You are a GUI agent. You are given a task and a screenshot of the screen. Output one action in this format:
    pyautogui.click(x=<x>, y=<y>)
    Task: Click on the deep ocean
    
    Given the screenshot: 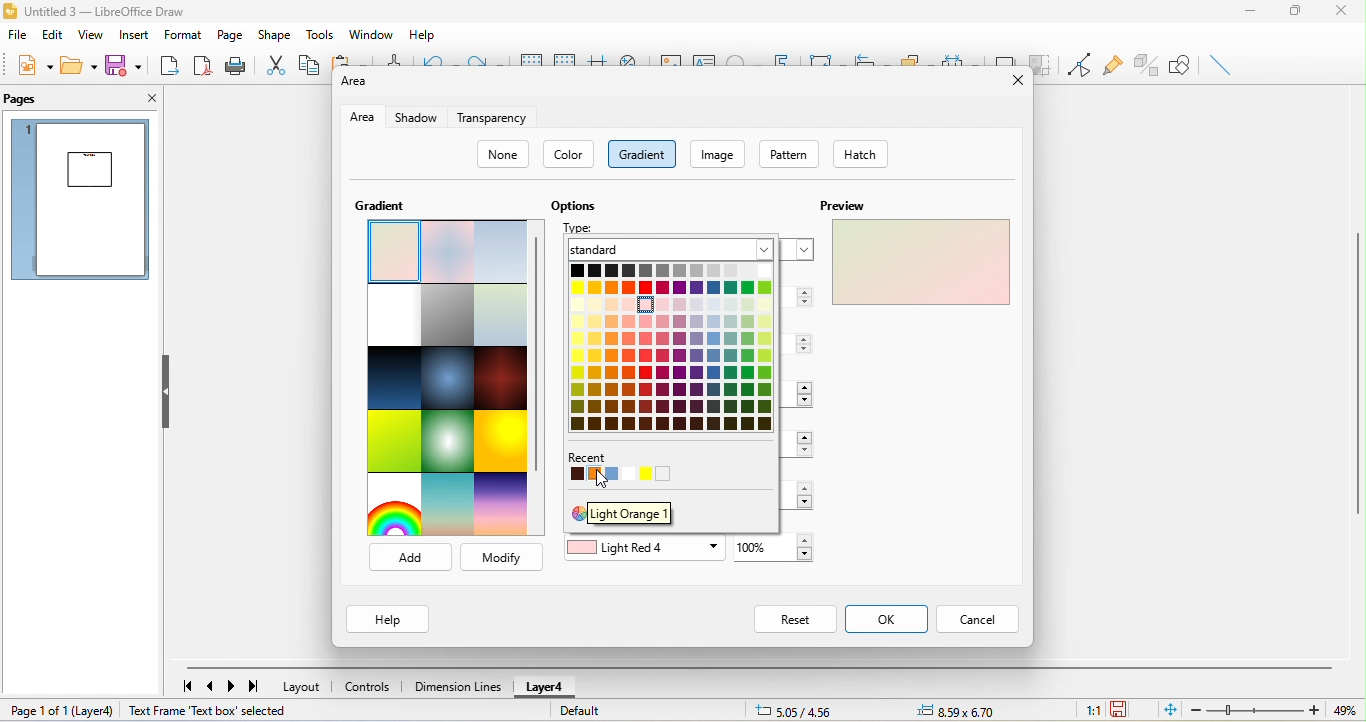 What is the action you would take?
    pyautogui.click(x=450, y=378)
    